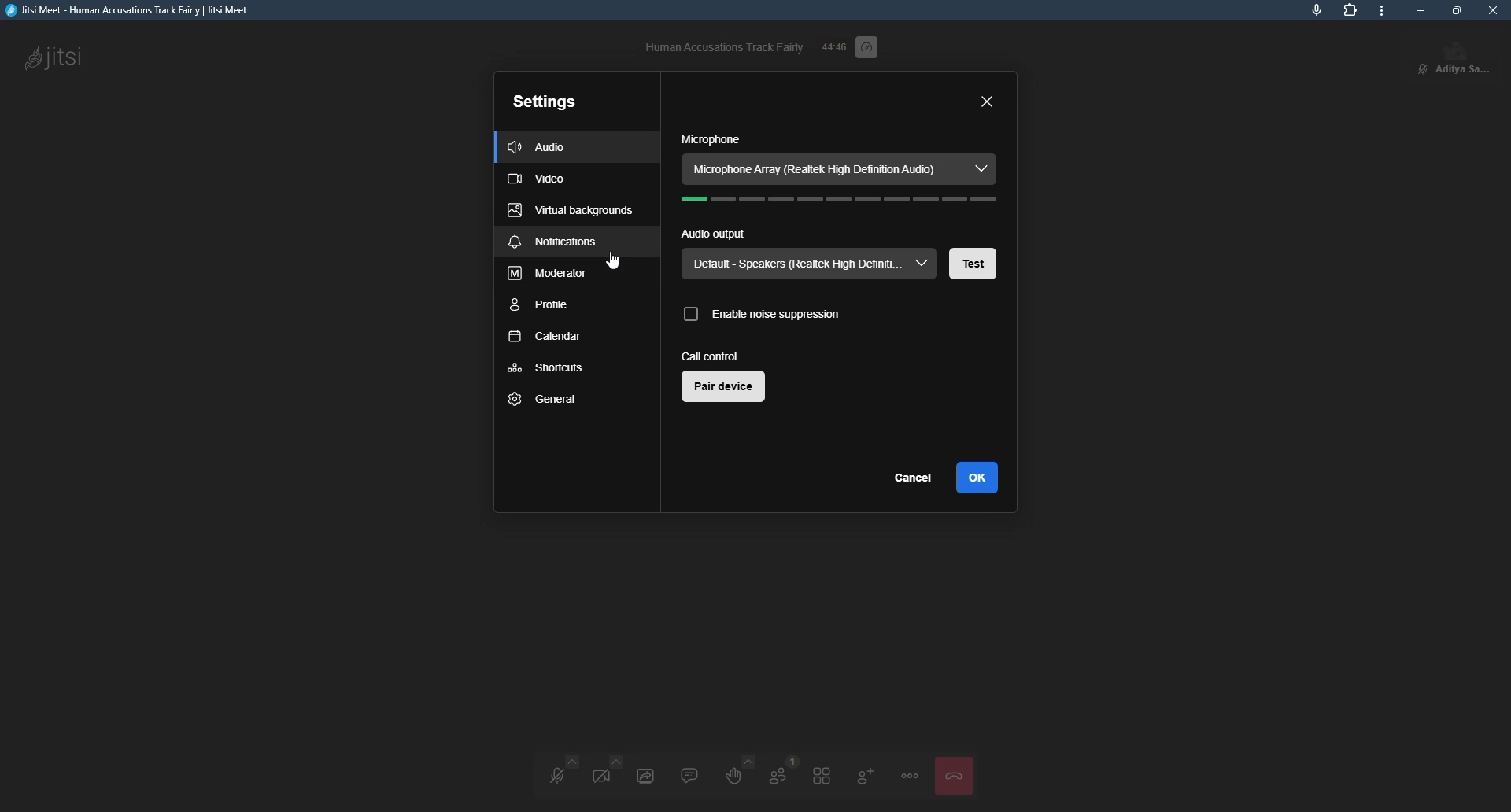  Describe the element at coordinates (546, 368) in the screenshot. I see `shortcuts` at that location.